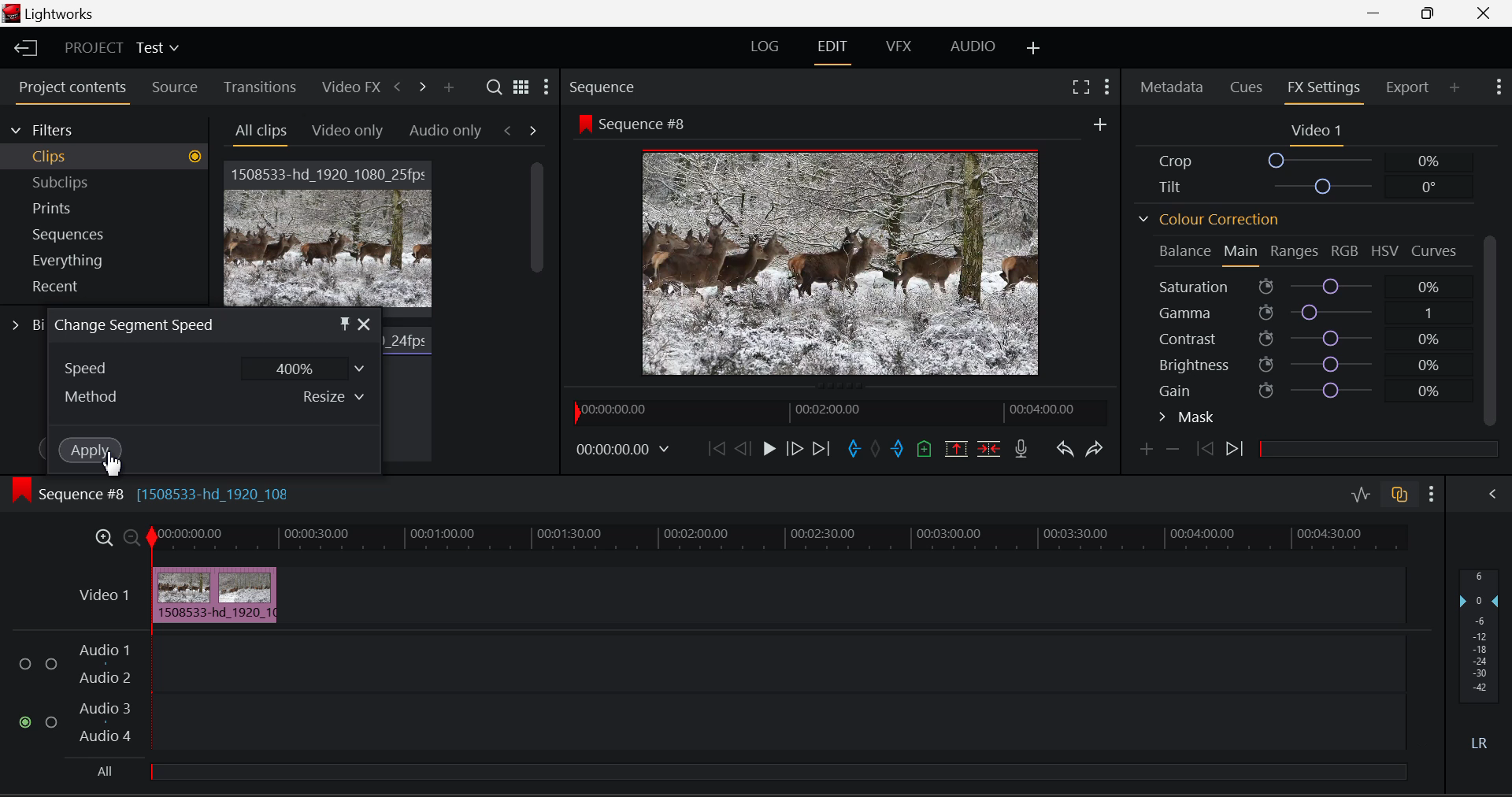  Describe the element at coordinates (217, 495) in the screenshot. I see `[1508533-hd_1920_108` at that location.